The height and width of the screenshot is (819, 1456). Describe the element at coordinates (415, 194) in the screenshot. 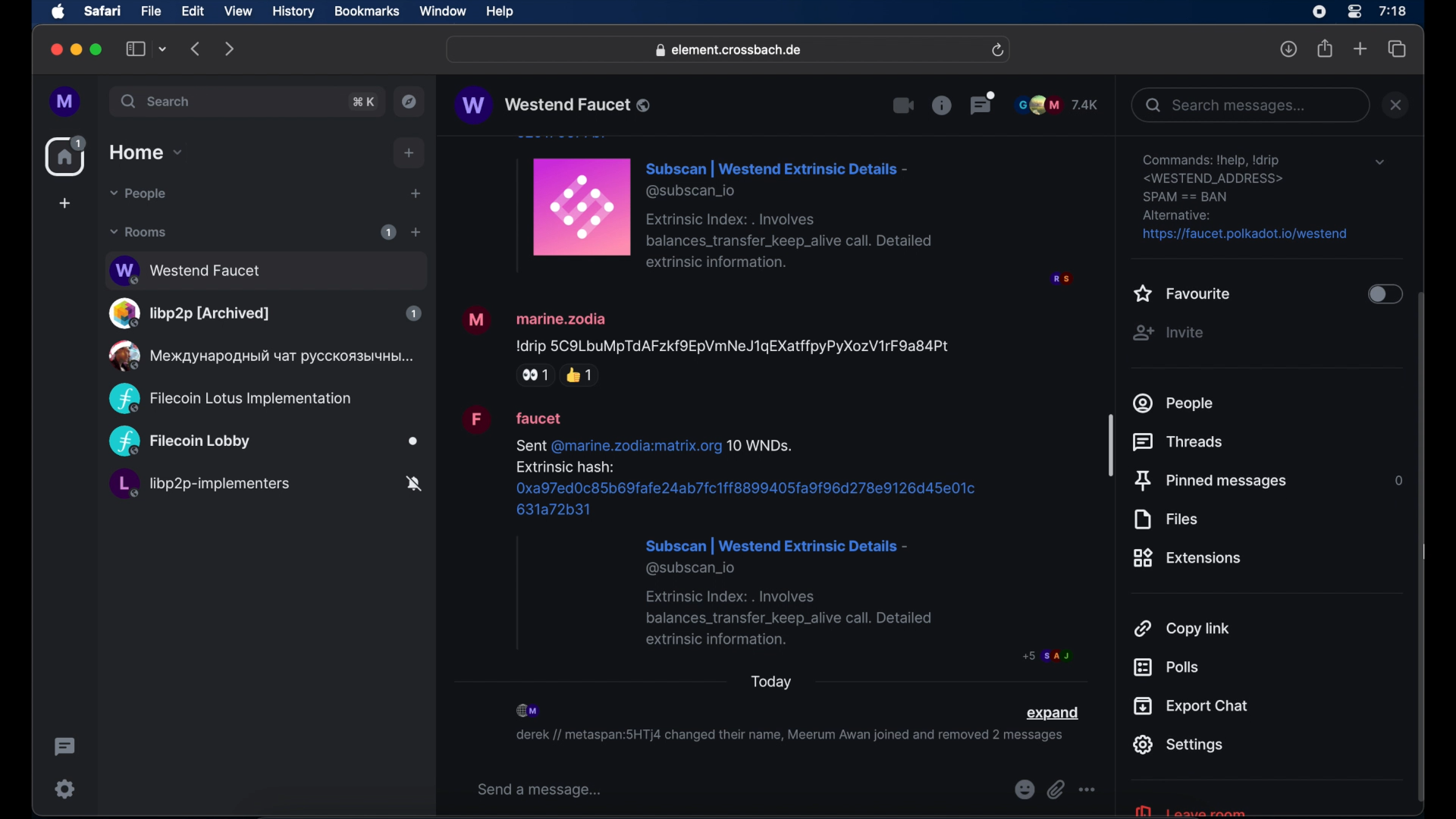

I see `start chat` at that location.